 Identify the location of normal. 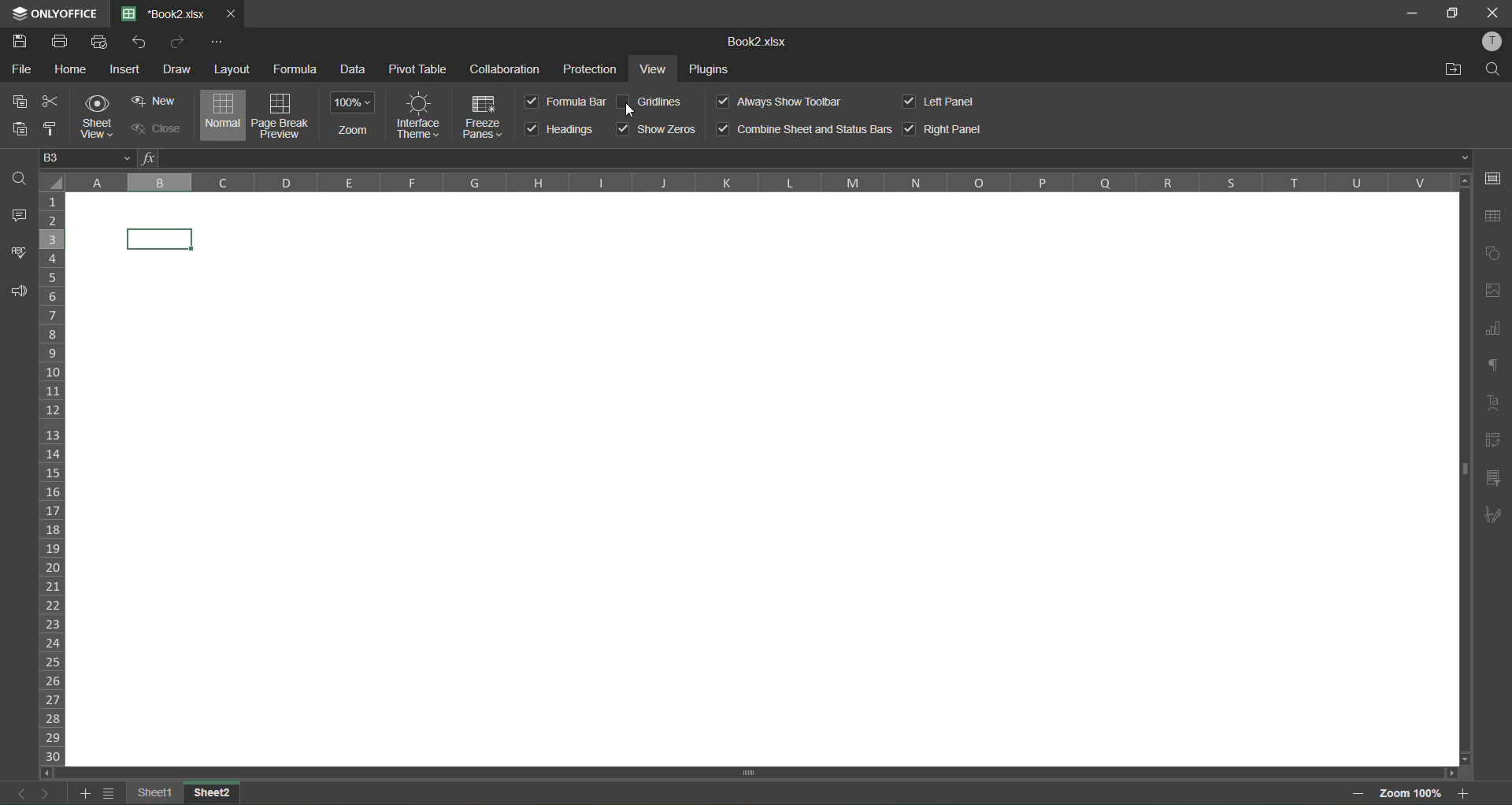
(224, 114).